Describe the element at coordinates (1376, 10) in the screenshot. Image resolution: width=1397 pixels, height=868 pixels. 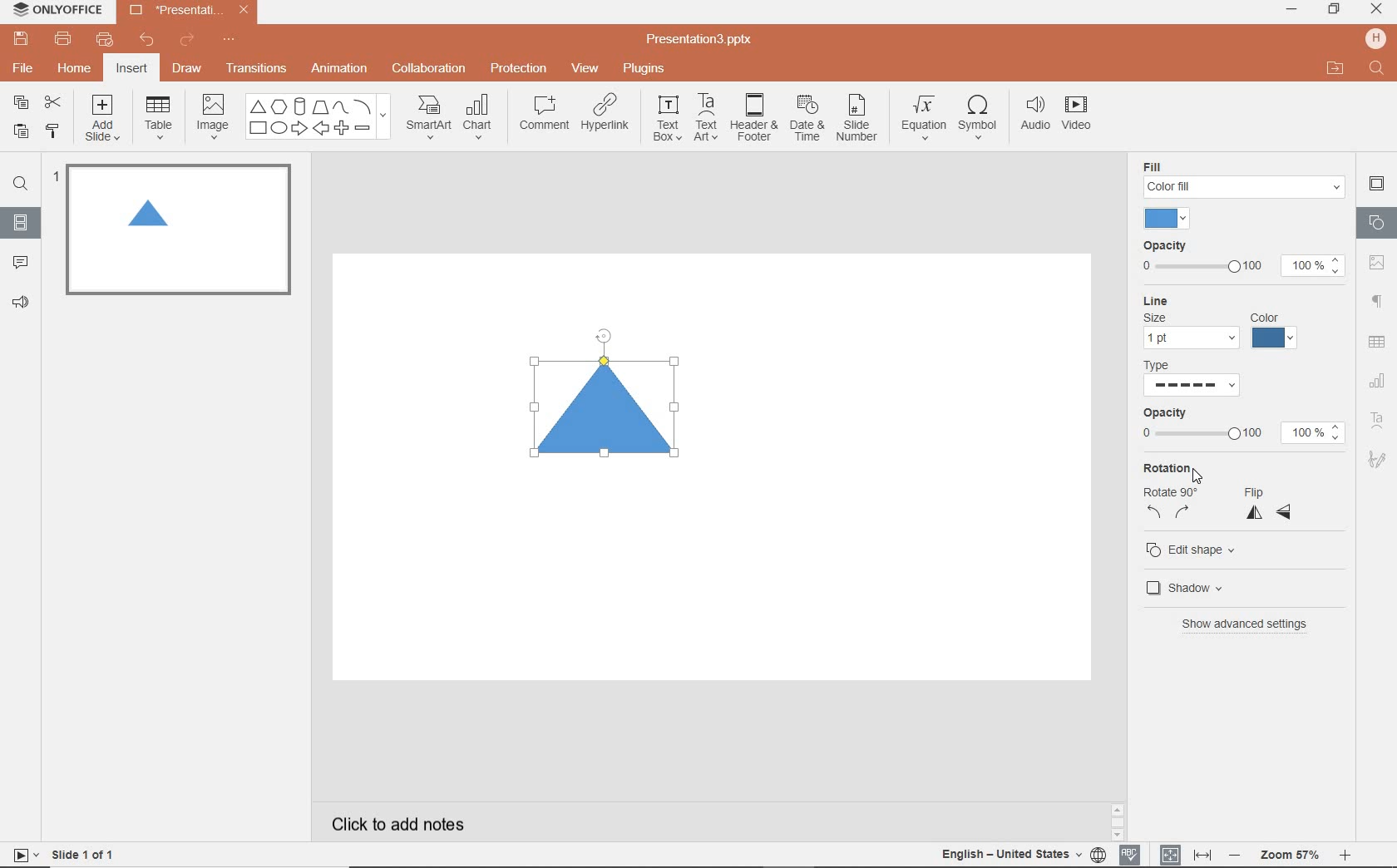
I see `CLOSE` at that location.